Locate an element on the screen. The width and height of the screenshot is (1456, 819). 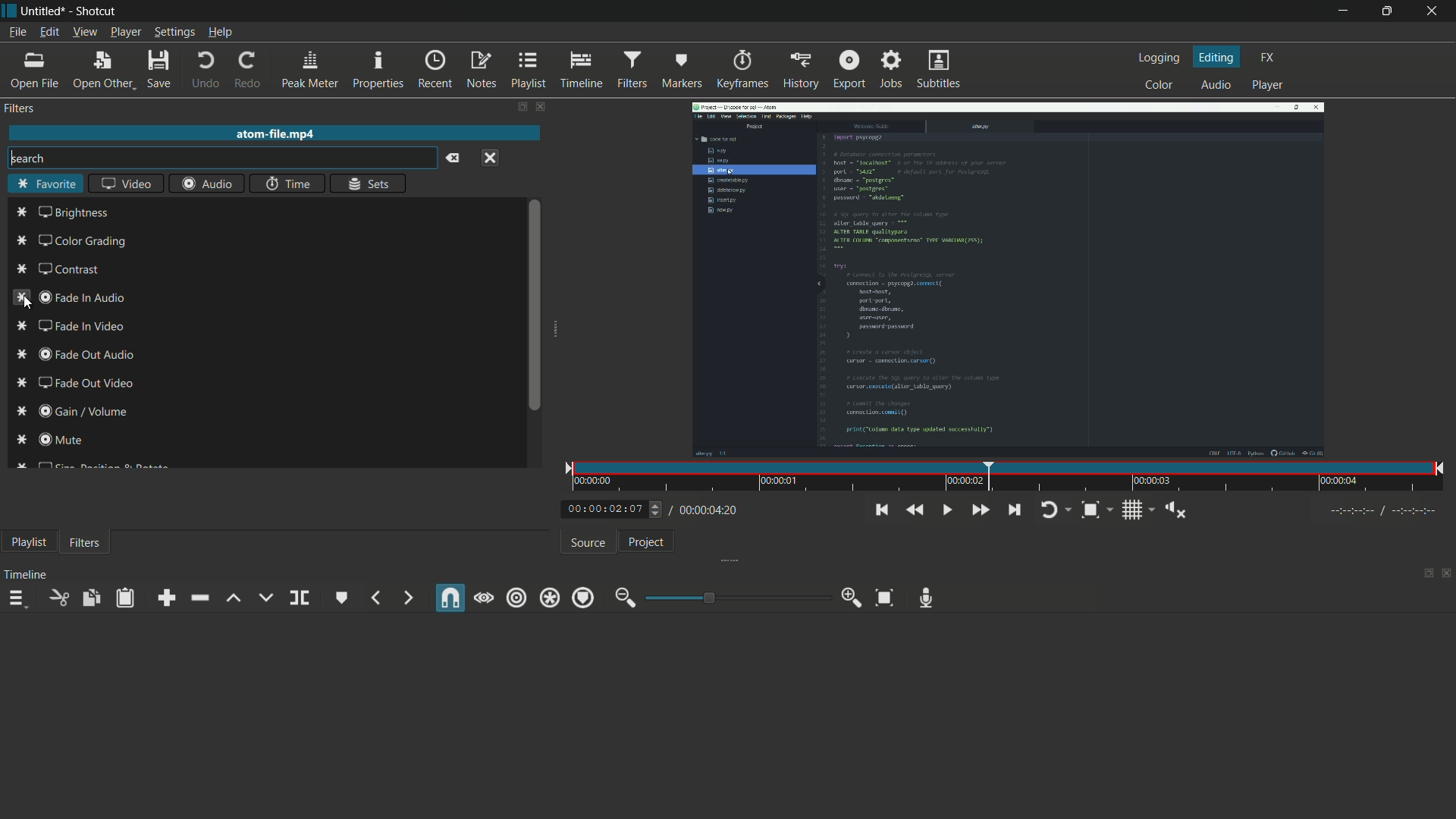
filters is located at coordinates (86, 541).